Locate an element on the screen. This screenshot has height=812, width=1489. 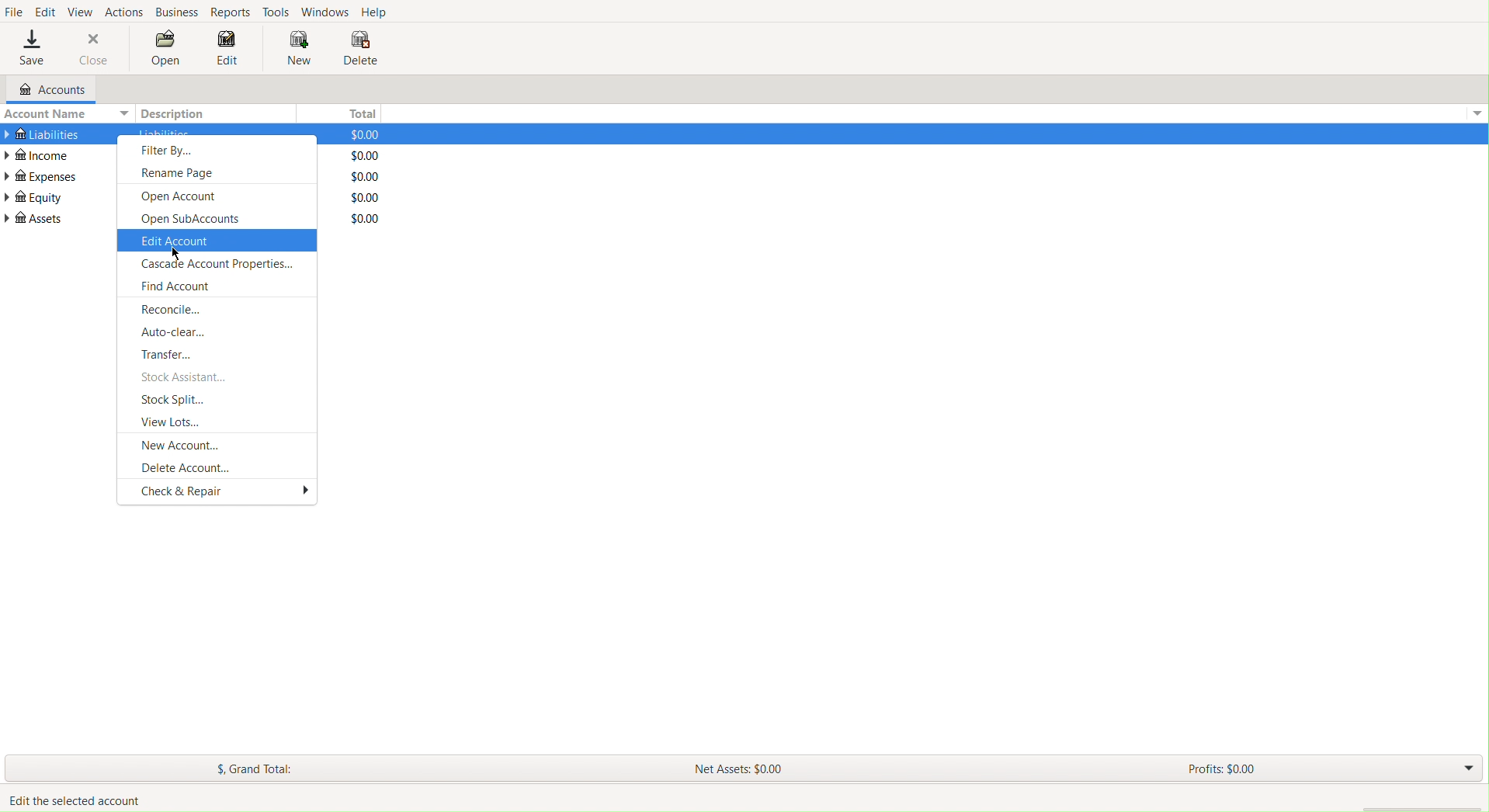
Cascade Account Properties is located at coordinates (217, 266).